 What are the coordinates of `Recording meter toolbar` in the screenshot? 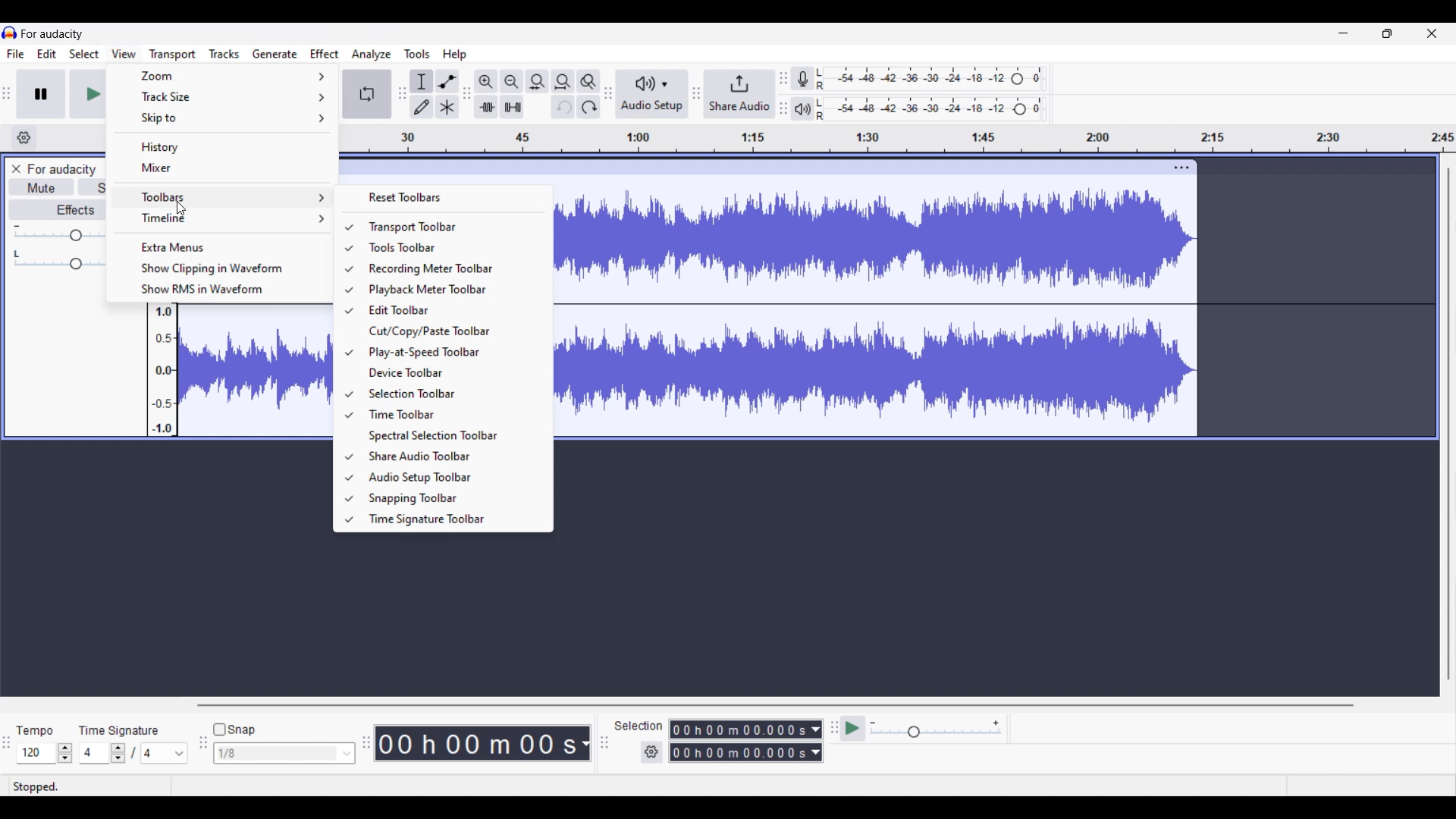 It's located at (452, 268).